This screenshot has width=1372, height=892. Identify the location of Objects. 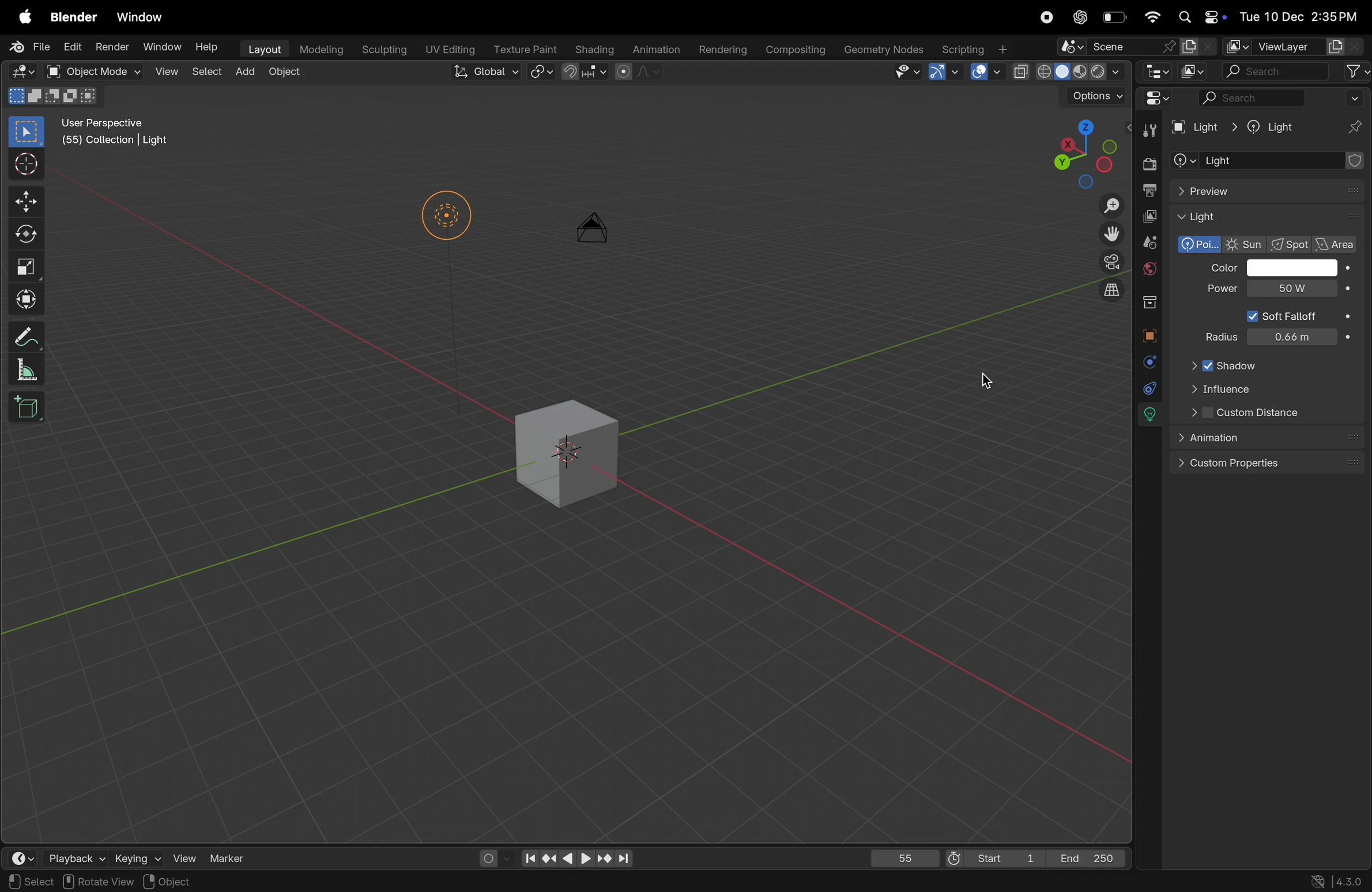
(209, 882).